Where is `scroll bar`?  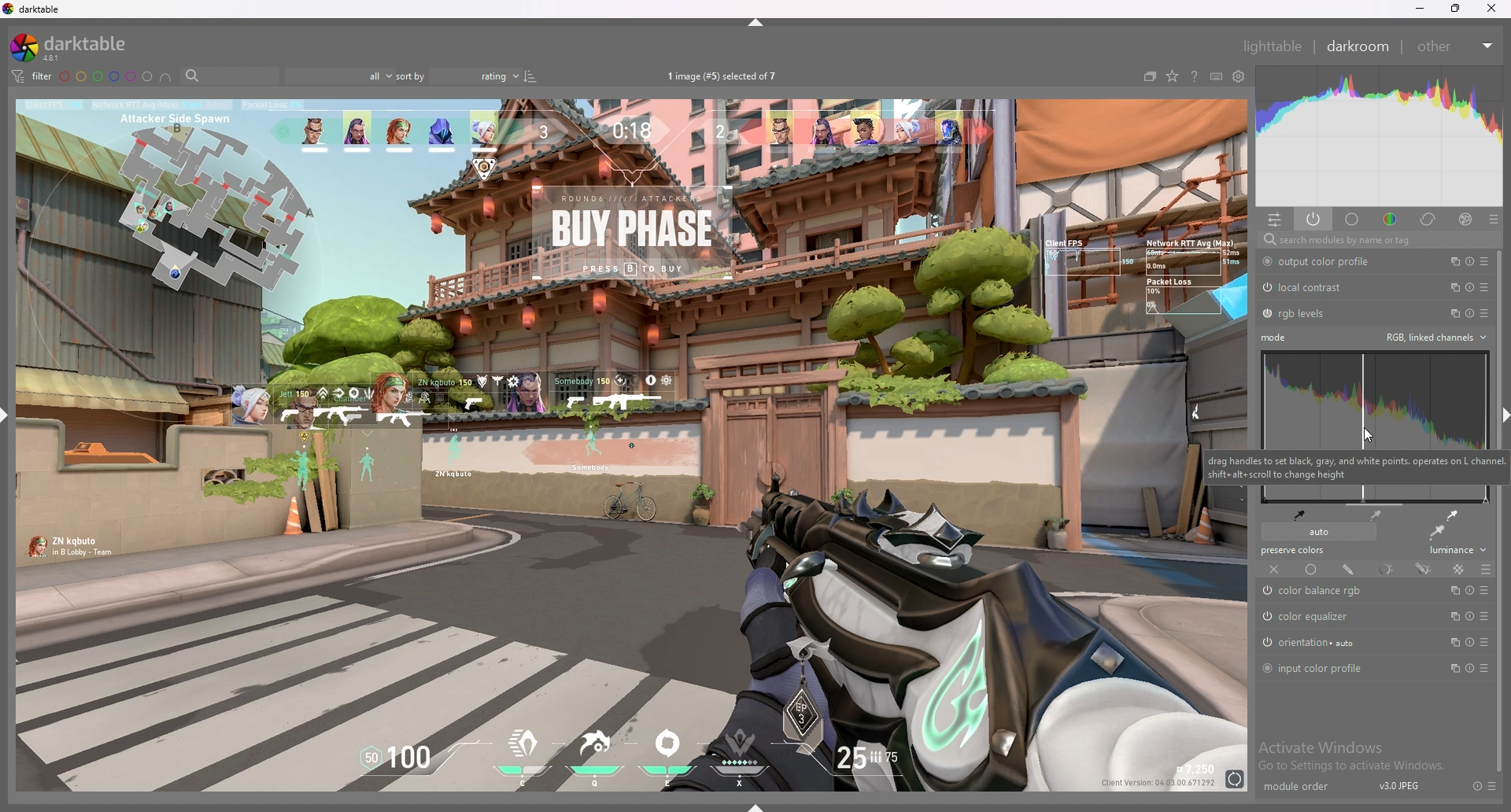 scroll bar is located at coordinates (1498, 509).